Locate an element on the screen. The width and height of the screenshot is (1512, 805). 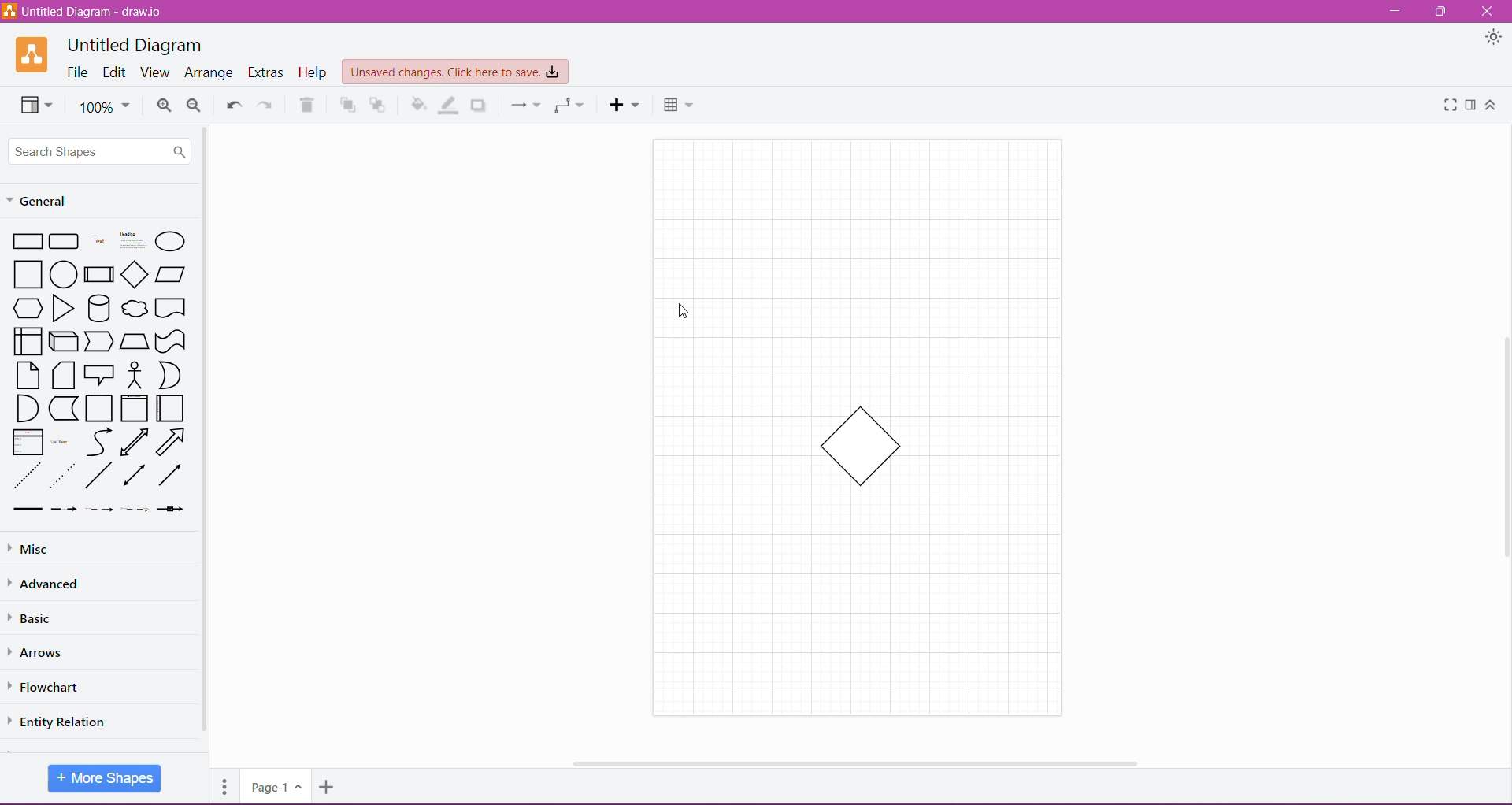
Diagram Title - Application Name - Untitled Diagram.png - draw.io is located at coordinates (86, 11).